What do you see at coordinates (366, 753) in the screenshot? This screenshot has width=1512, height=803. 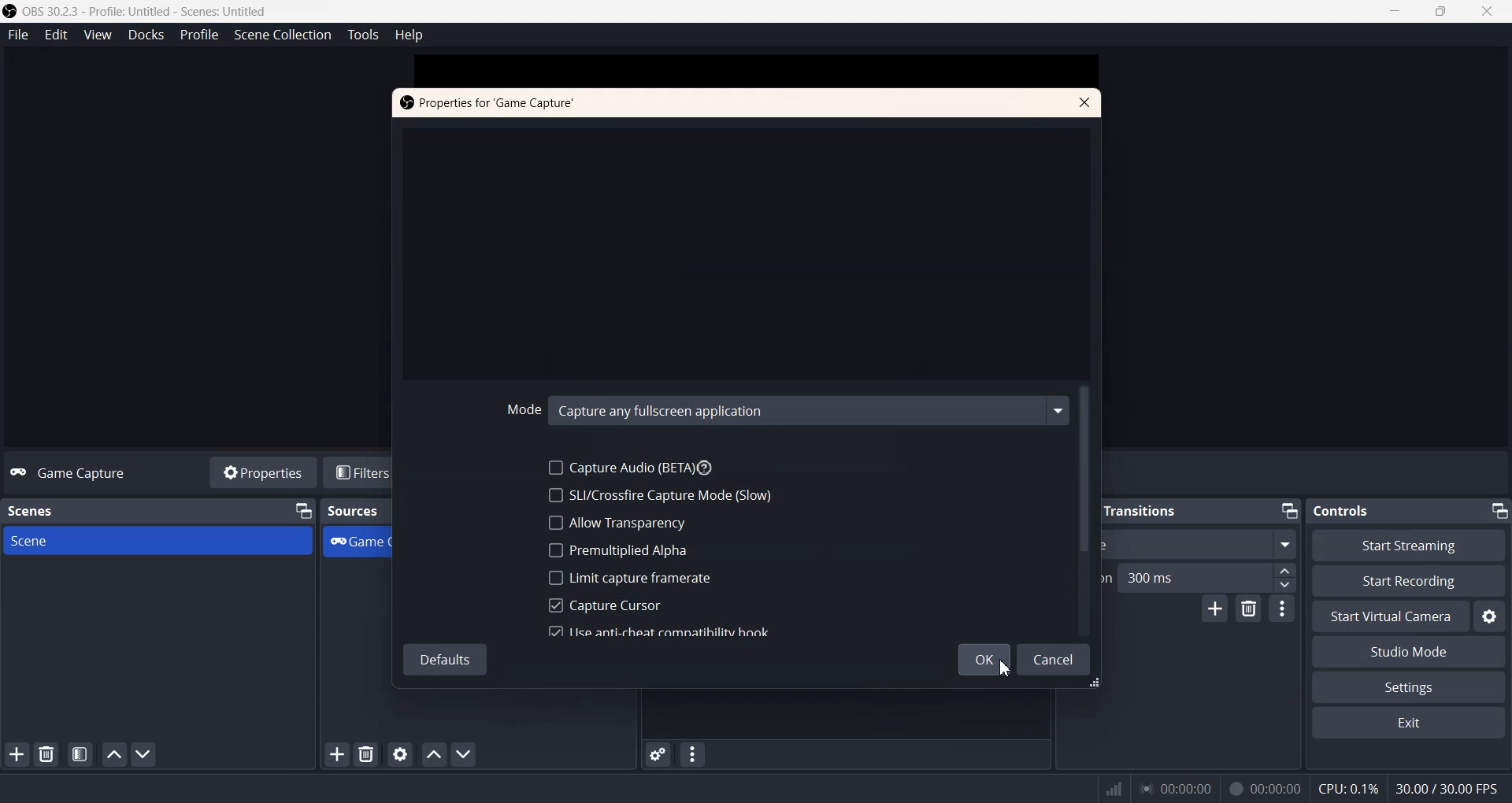 I see `Remove Sources` at bounding box center [366, 753].